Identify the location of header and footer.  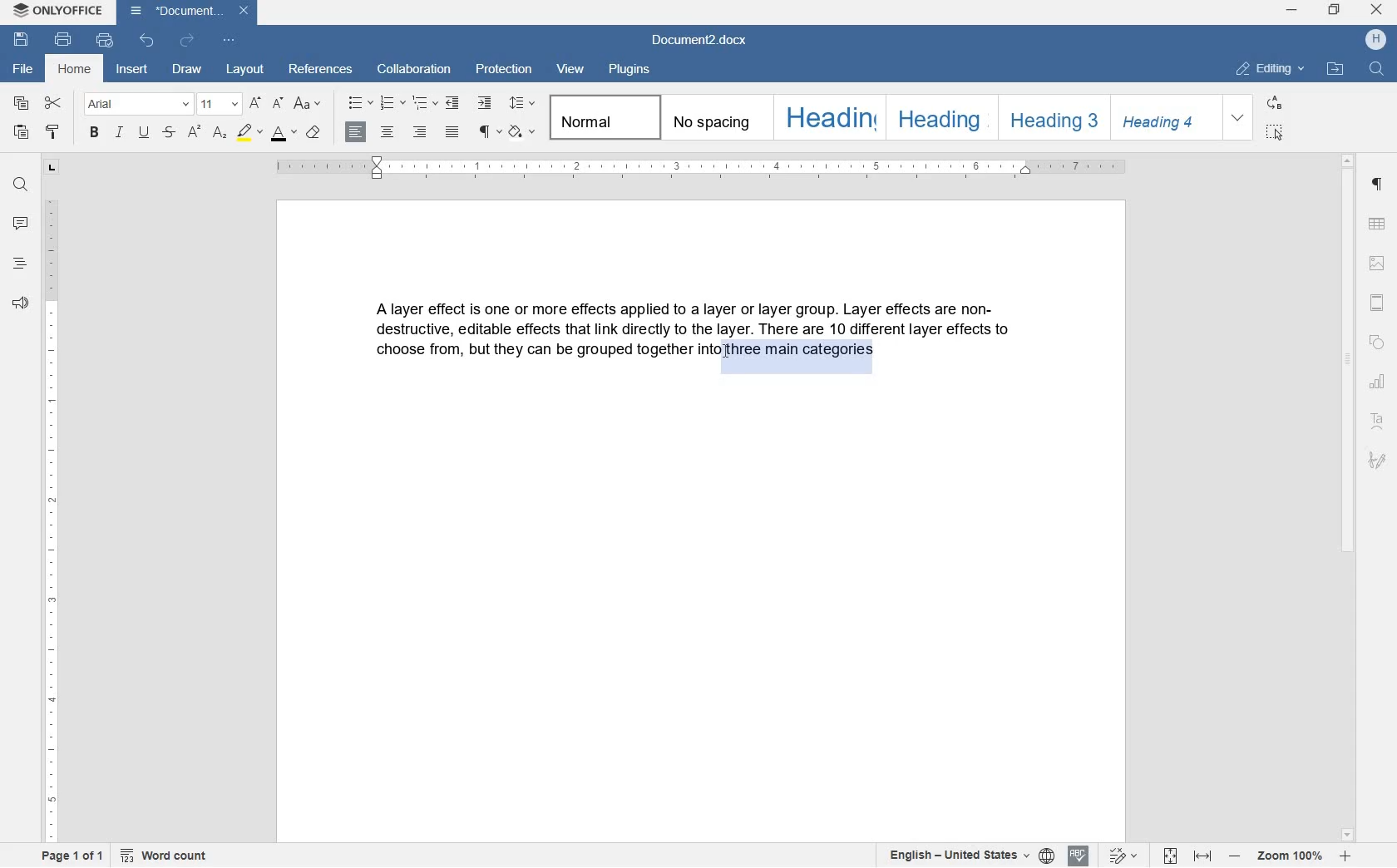
(1379, 303).